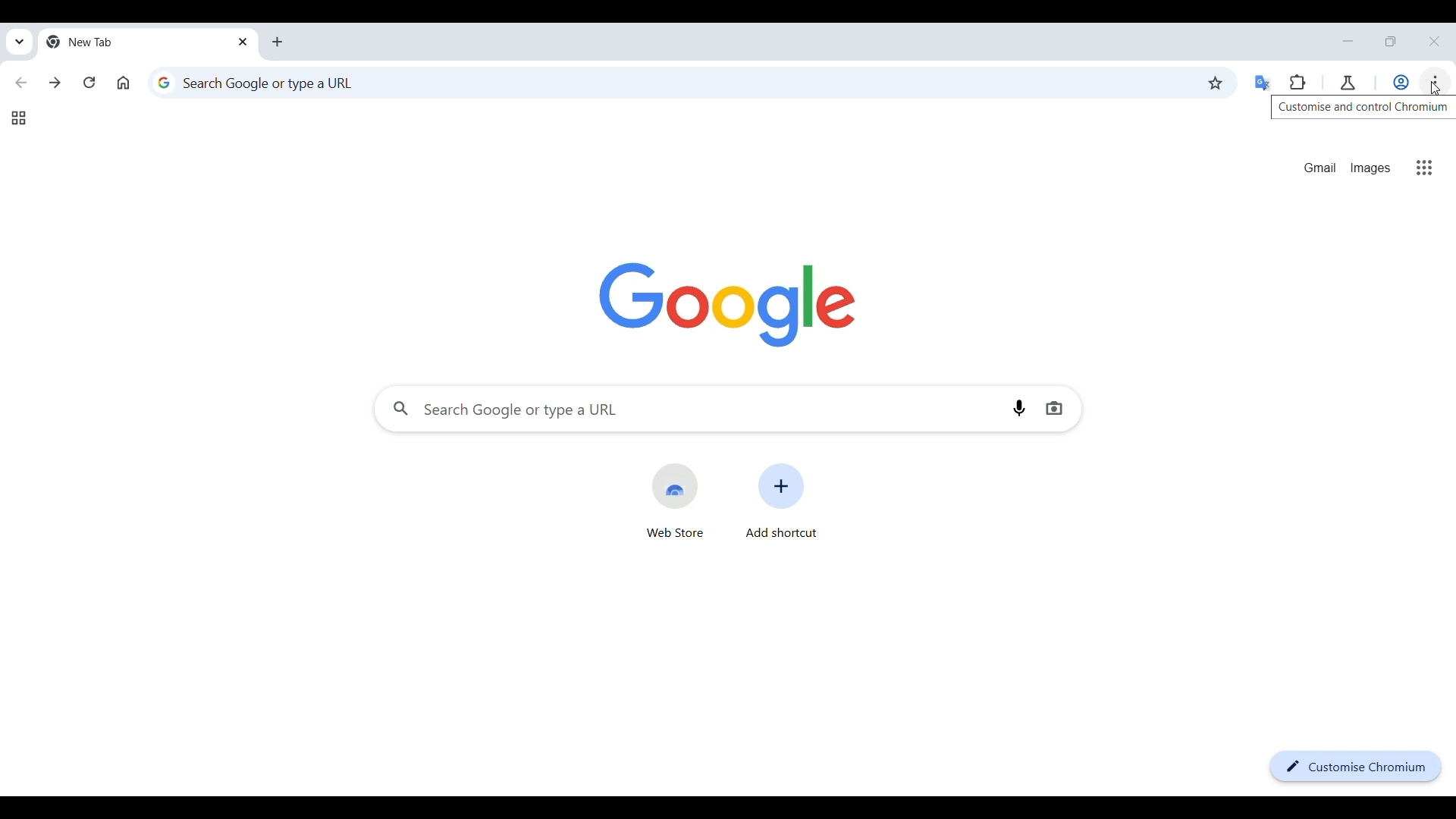  I want to click on Search Google or enter a url, so click(687, 409).